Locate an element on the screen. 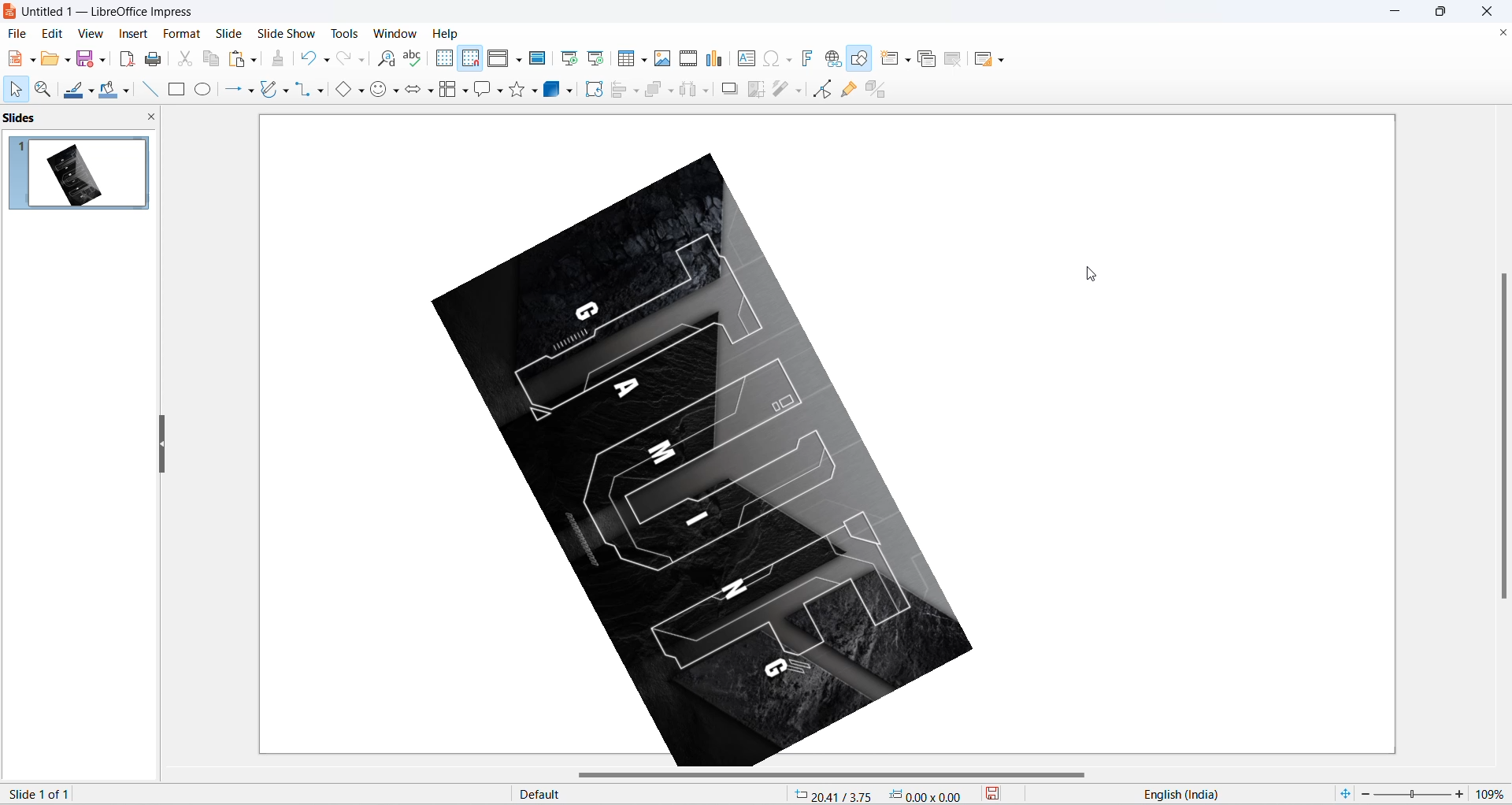 The image size is (1512, 805). ellipse is located at coordinates (205, 89).